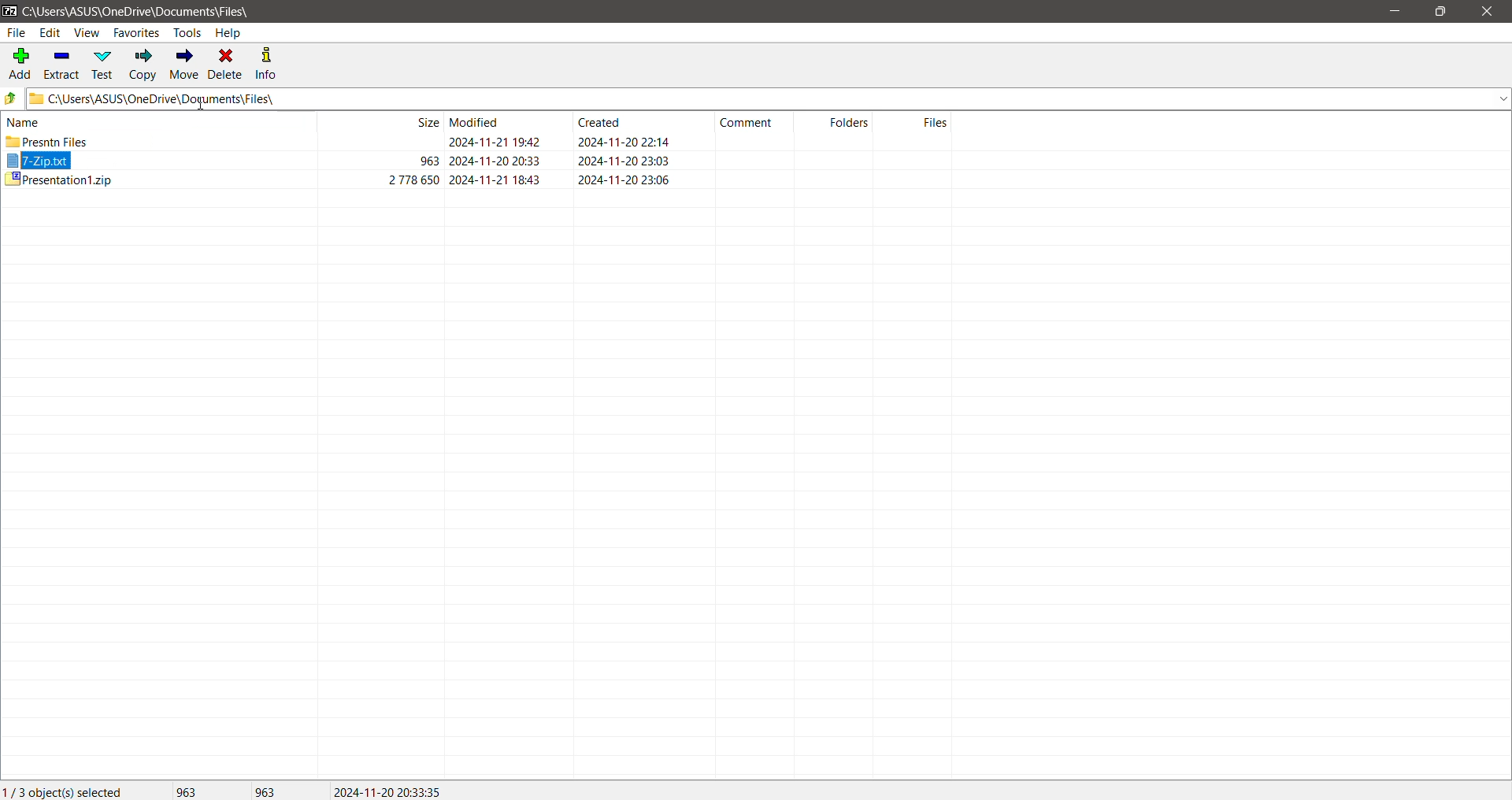 The height and width of the screenshot is (800, 1512). I want to click on Move Up one level, so click(11, 99).